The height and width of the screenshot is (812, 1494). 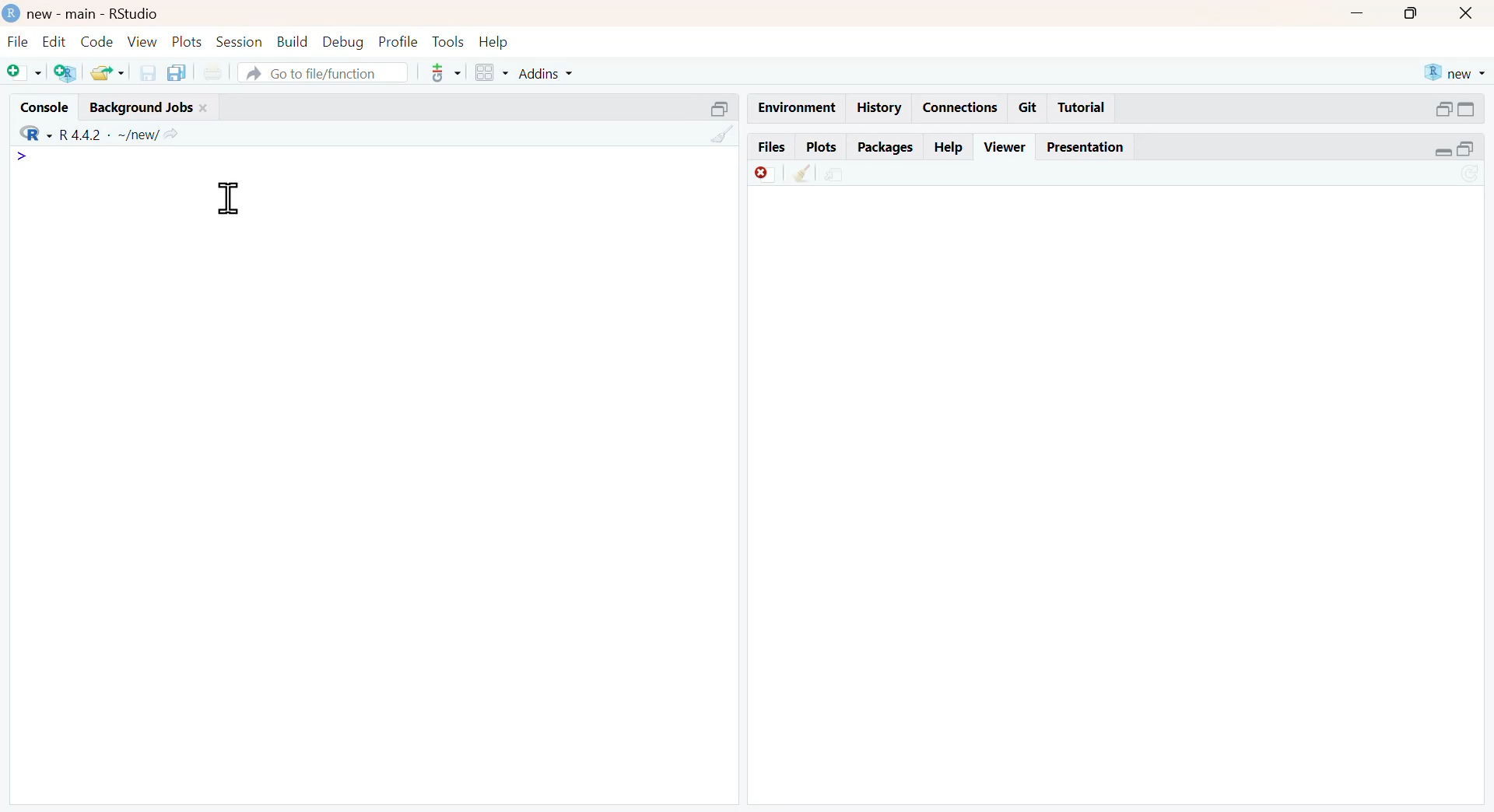 What do you see at coordinates (494, 43) in the screenshot?
I see `help` at bounding box center [494, 43].